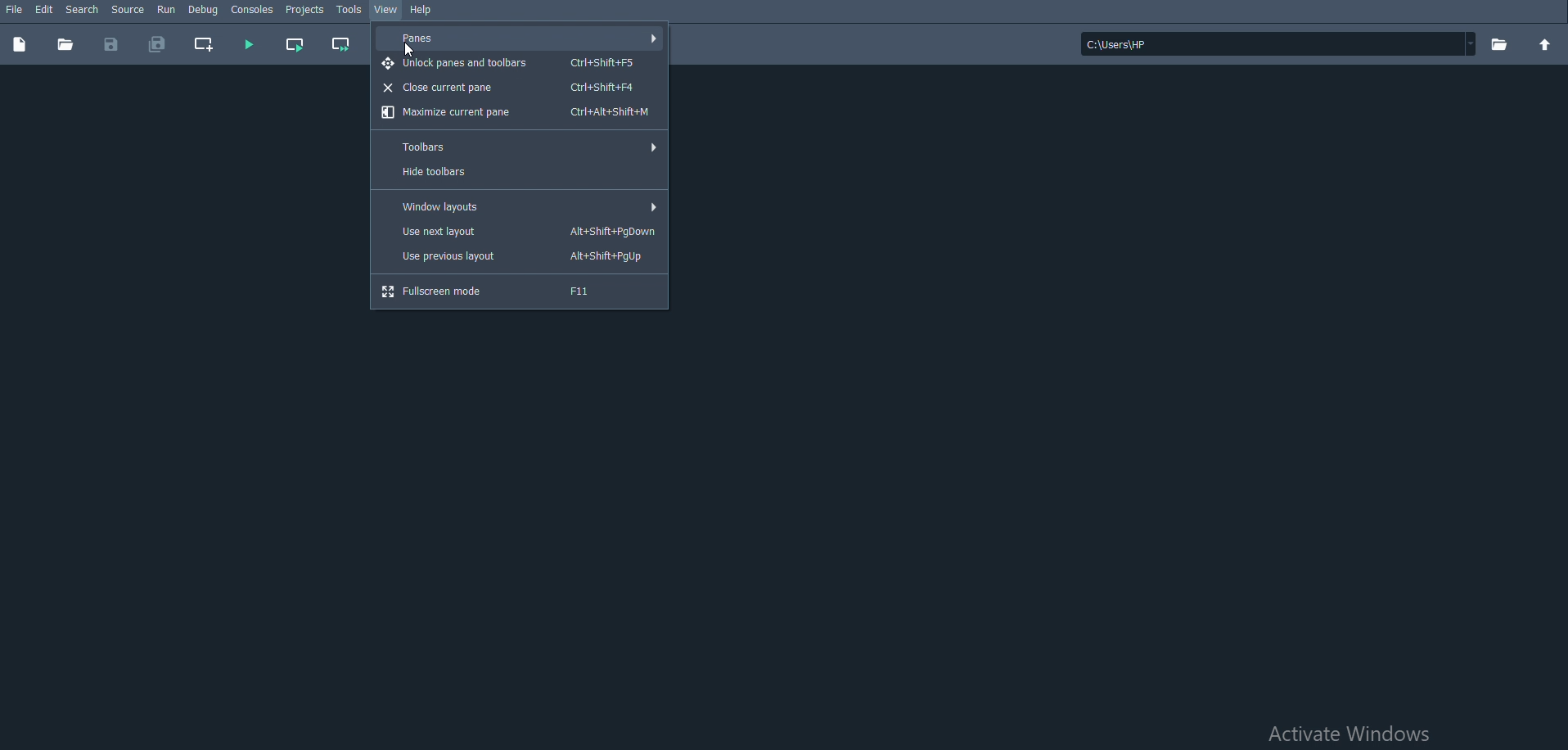 Image resolution: width=1568 pixels, height=750 pixels. Describe the element at coordinates (516, 291) in the screenshot. I see `Fullscreen mode` at that location.